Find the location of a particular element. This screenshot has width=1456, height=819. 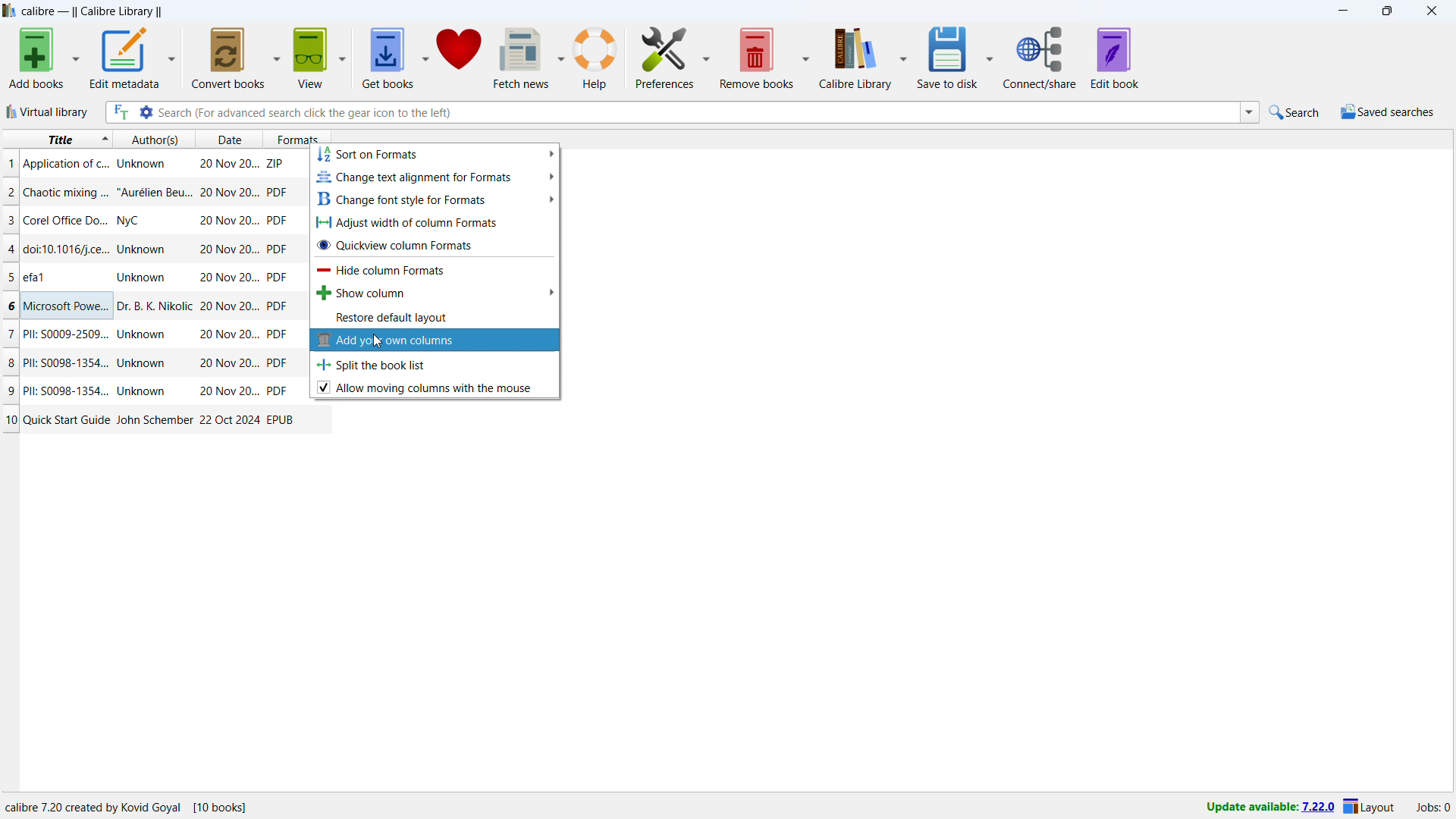

donate to calibre is located at coordinates (460, 57).